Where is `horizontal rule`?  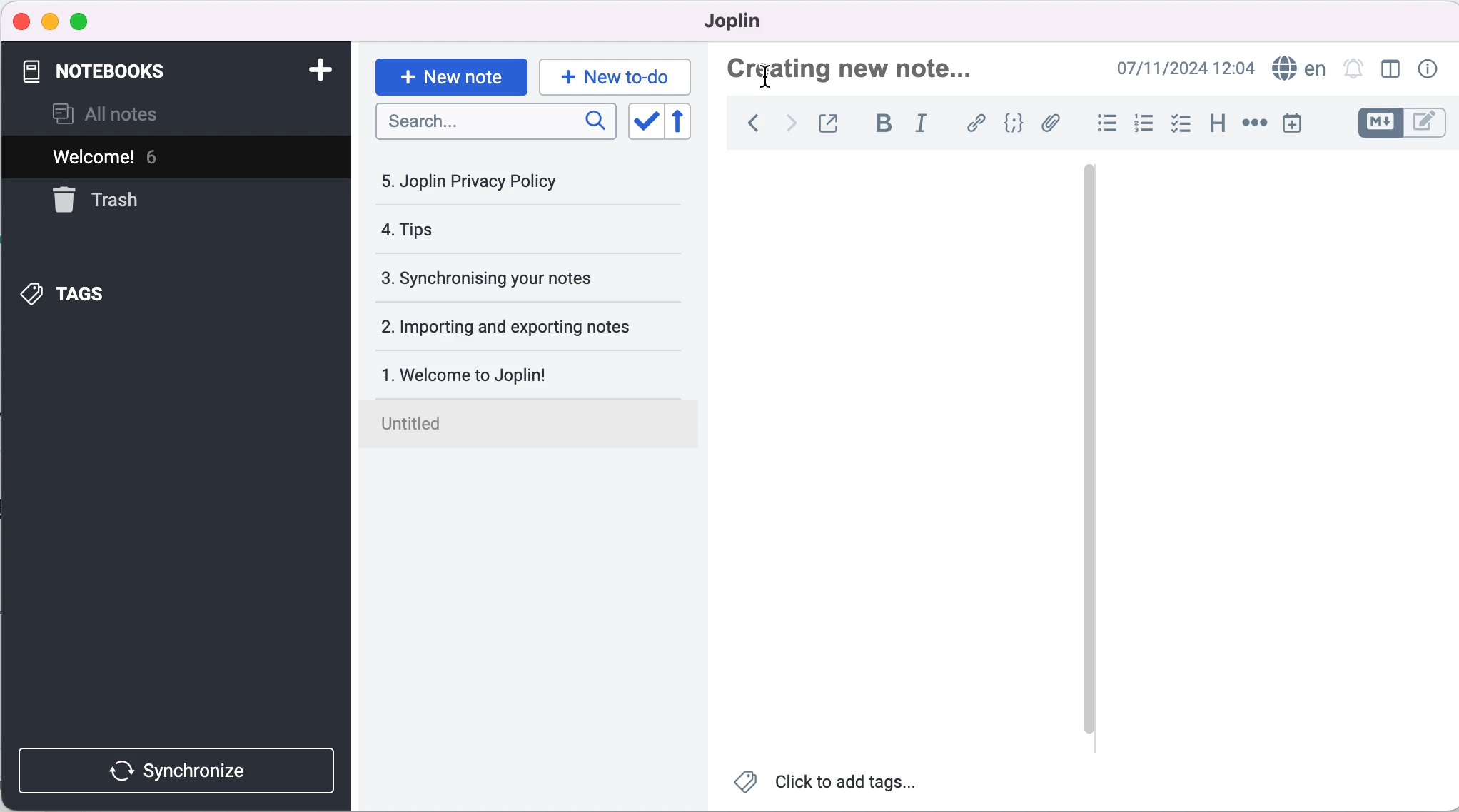 horizontal rule is located at coordinates (1254, 125).